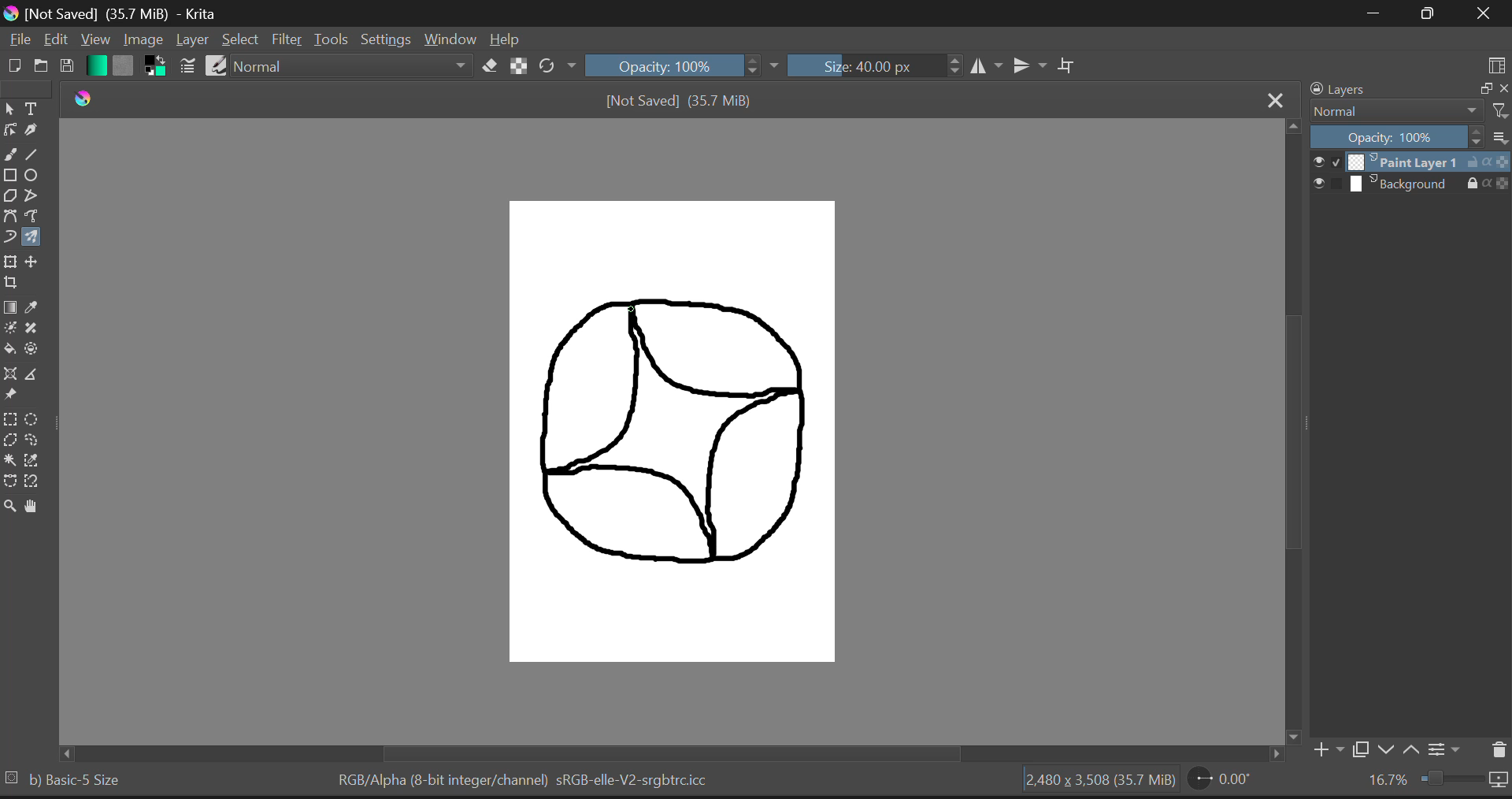 This screenshot has width=1512, height=799. Describe the element at coordinates (1432, 783) in the screenshot. I see `16.7%` at that location.